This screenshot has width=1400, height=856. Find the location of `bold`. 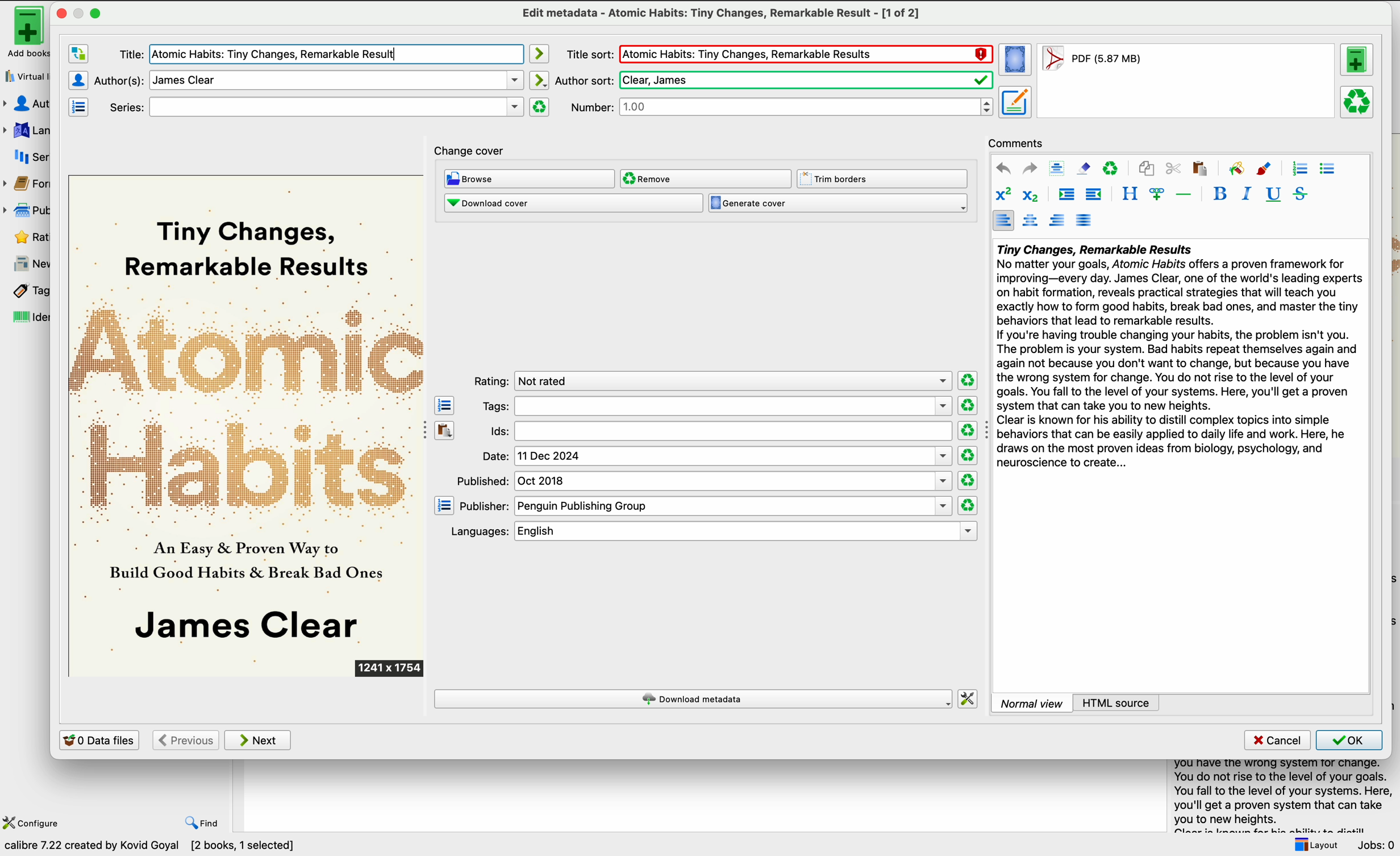

bold is located at coordinates (1220, 193).